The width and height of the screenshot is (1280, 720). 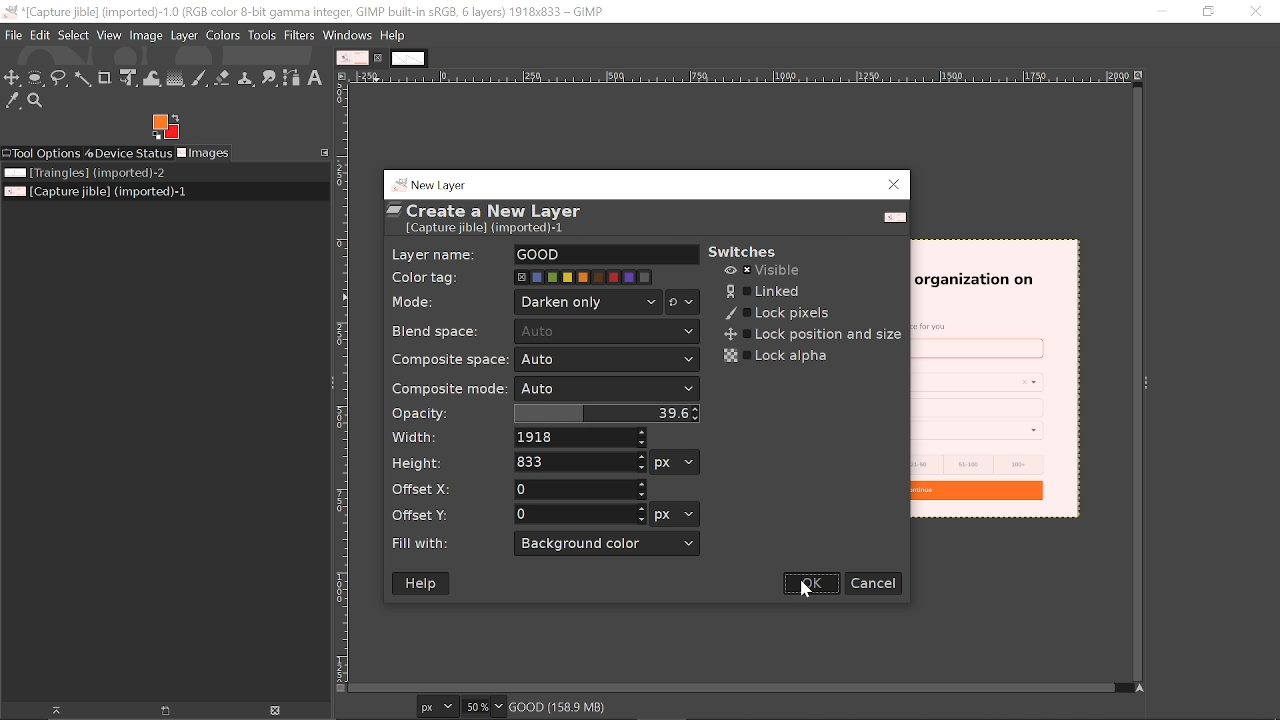 What do you see at coordinates (683, 304) in the screenshot?
I see `Mode options` at bounding box center [683, 304].